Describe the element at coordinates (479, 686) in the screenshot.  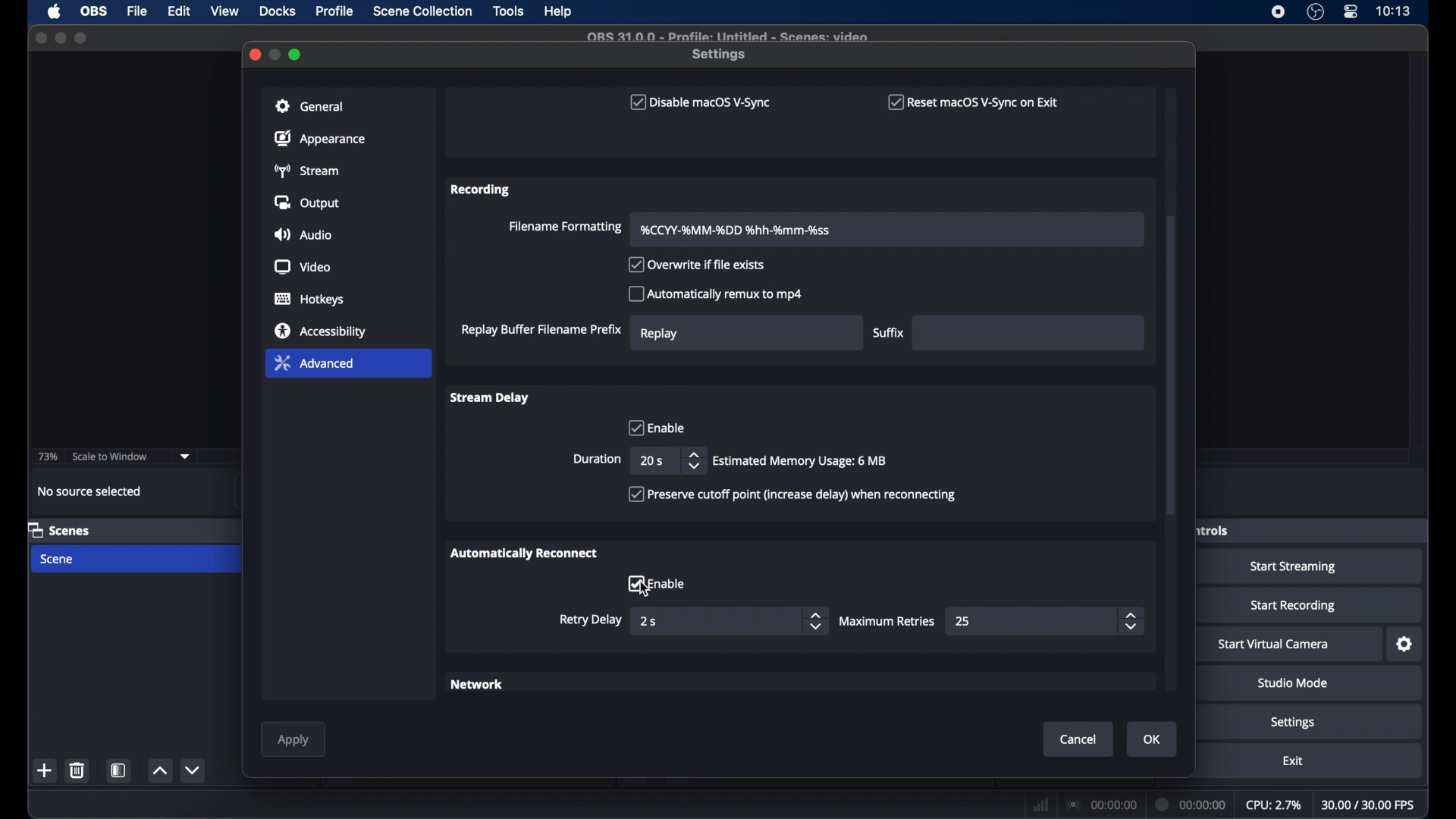
I see `network` at that location.